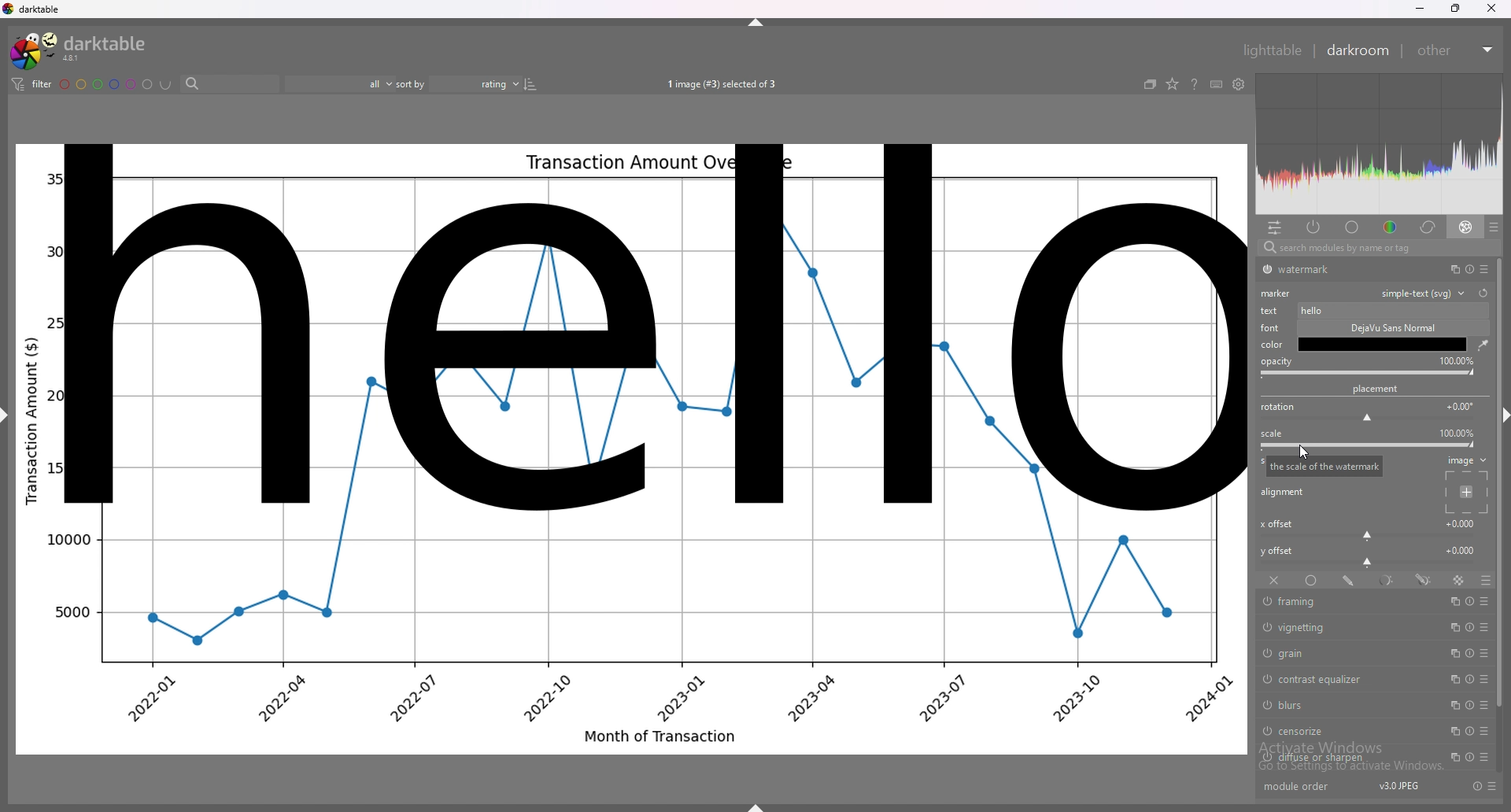  Describe the element at coordinates (1456, 433) in the screenshot. I see `scale percentage` at that location.